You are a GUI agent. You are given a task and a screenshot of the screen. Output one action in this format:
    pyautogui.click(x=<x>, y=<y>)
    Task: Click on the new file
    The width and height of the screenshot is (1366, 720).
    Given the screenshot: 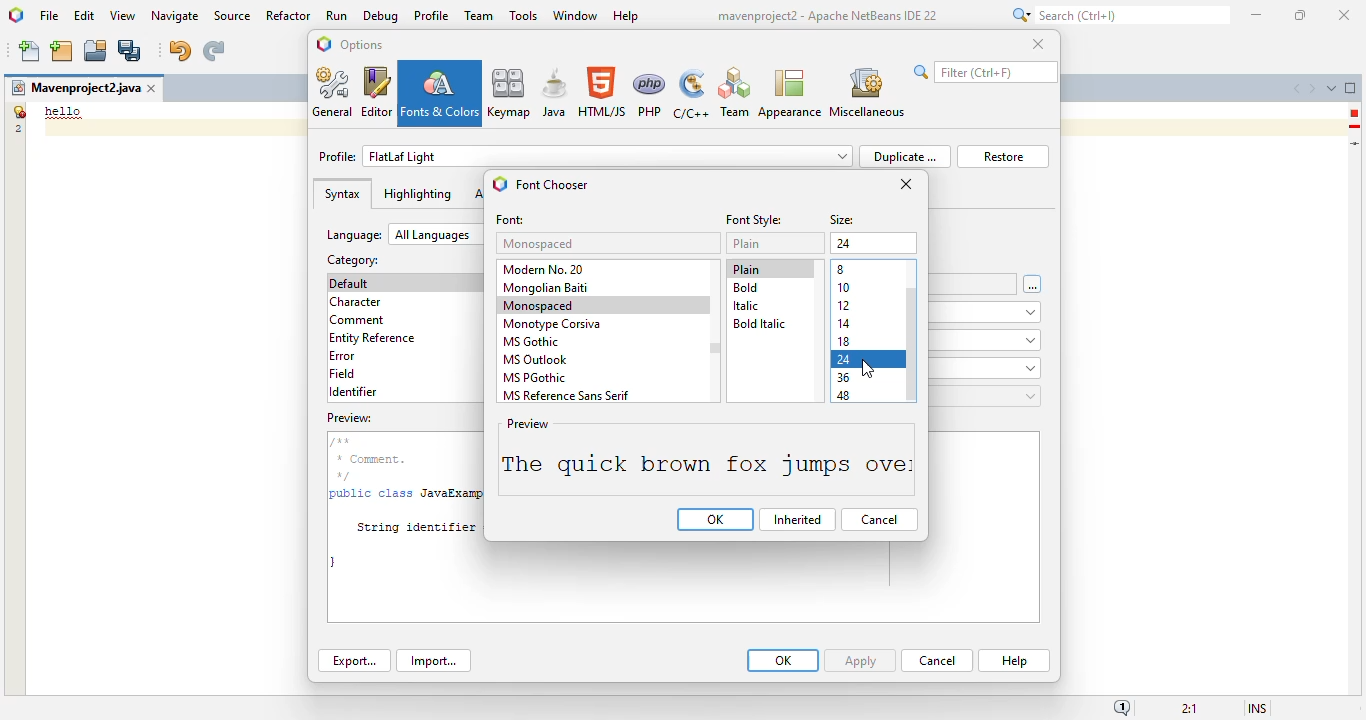 What is the action you would take?
    pyautogui.click(x=31, y=51)
    